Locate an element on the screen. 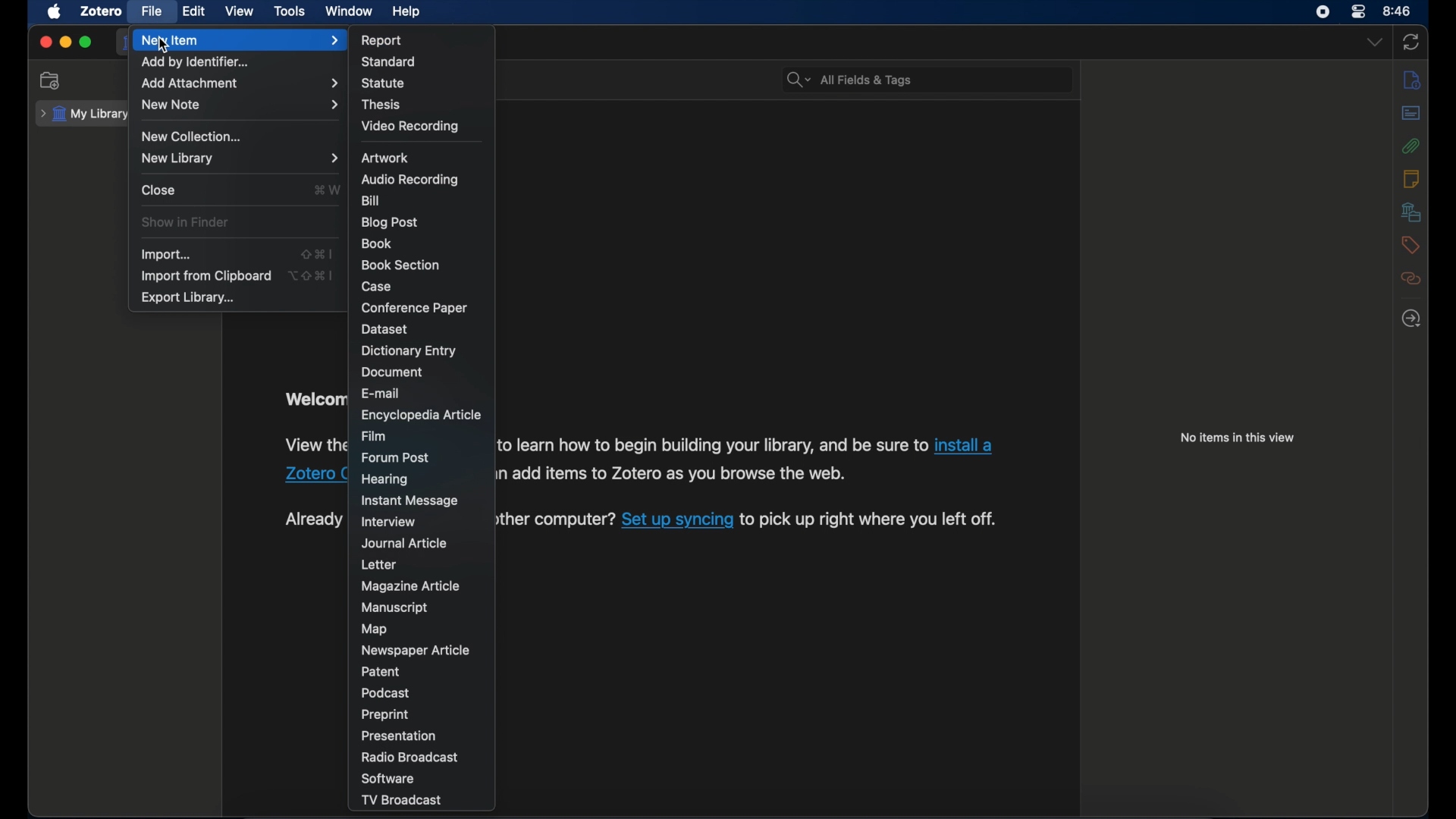 Image resolution: width=1456 pixels, height=819 pixels. shortcut is located at coordinates (311, 276).